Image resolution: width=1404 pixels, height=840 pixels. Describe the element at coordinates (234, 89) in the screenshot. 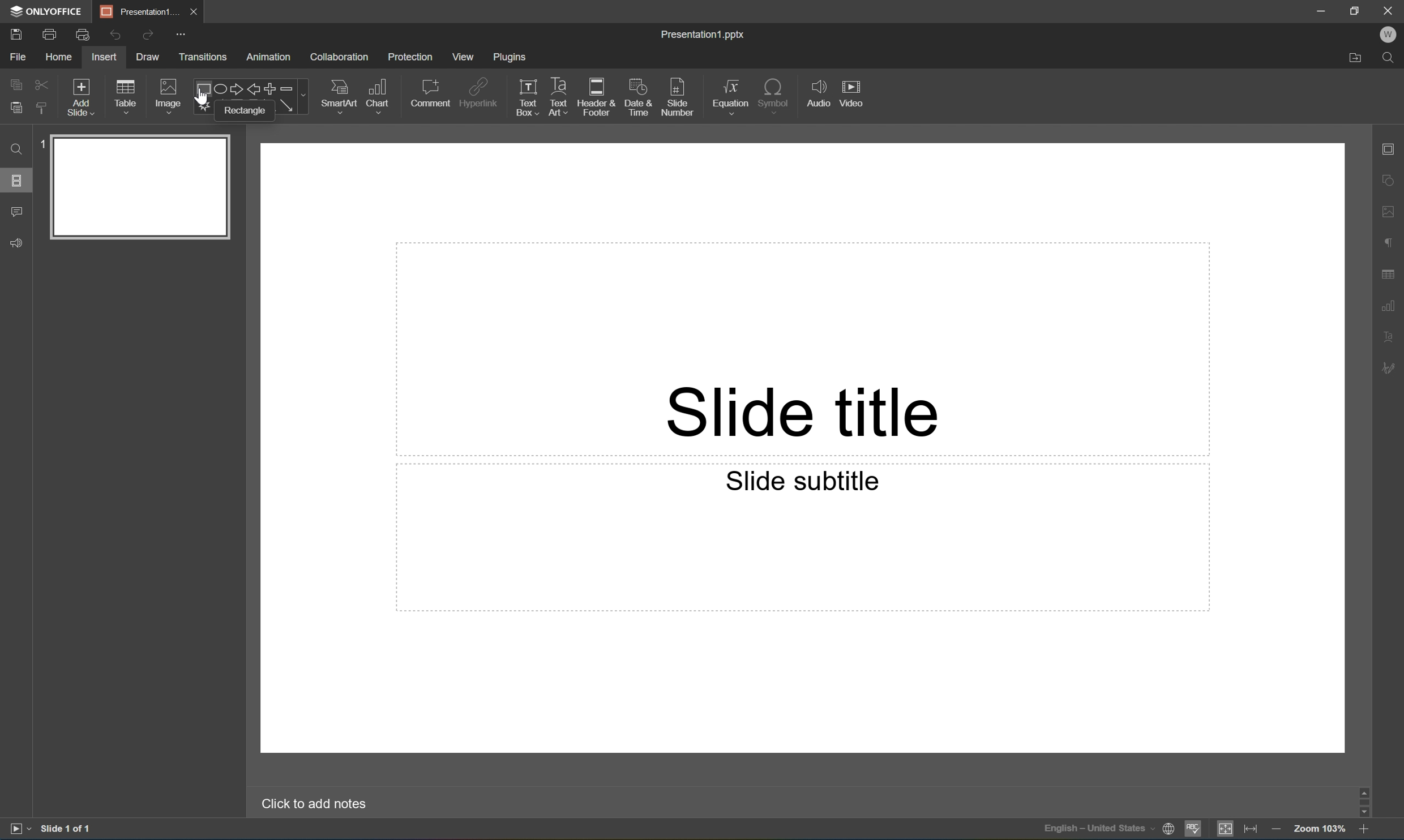

I see `Right arrow` at that location.